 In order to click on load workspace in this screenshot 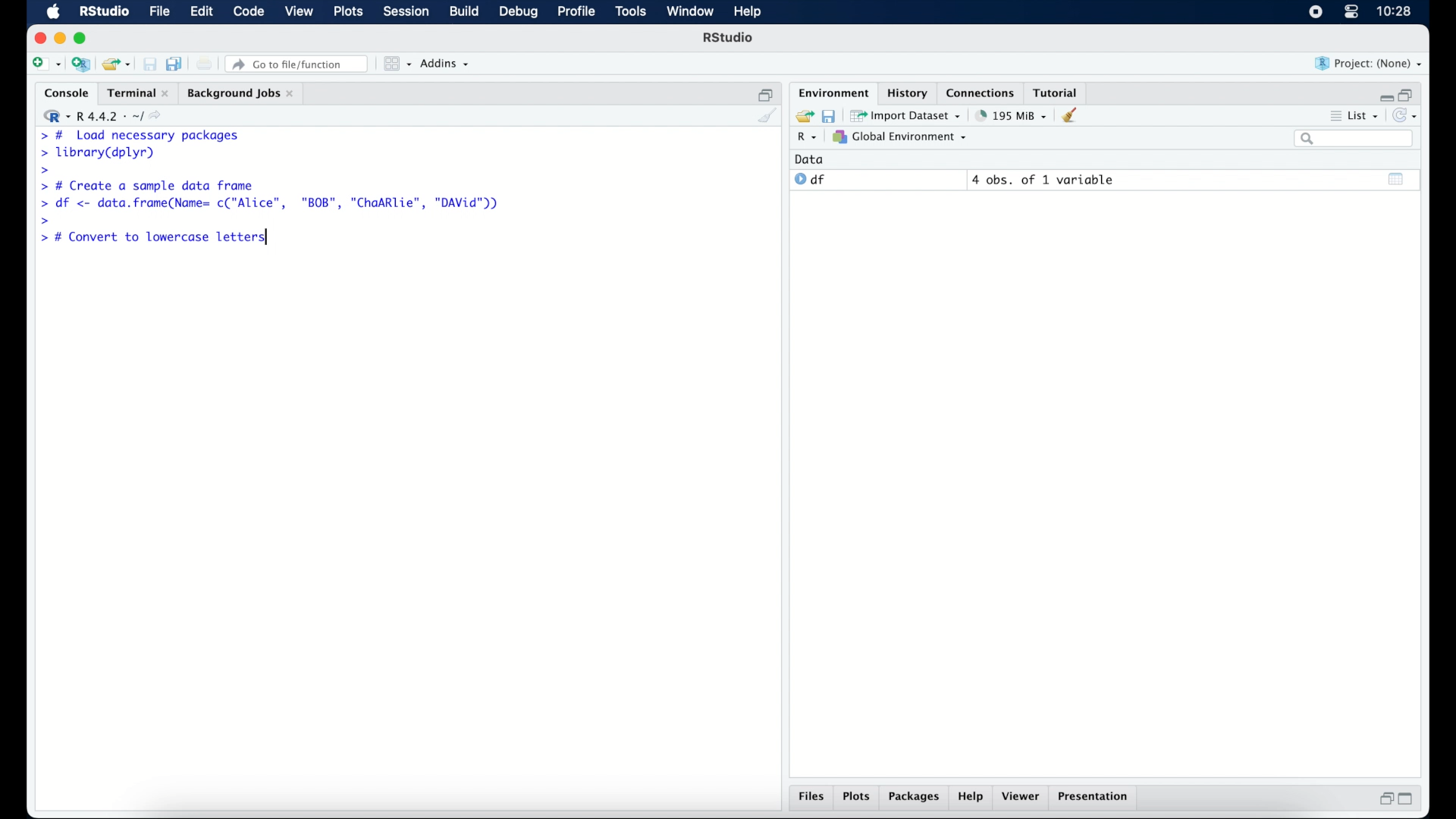, I will do `click(802, 115)`.